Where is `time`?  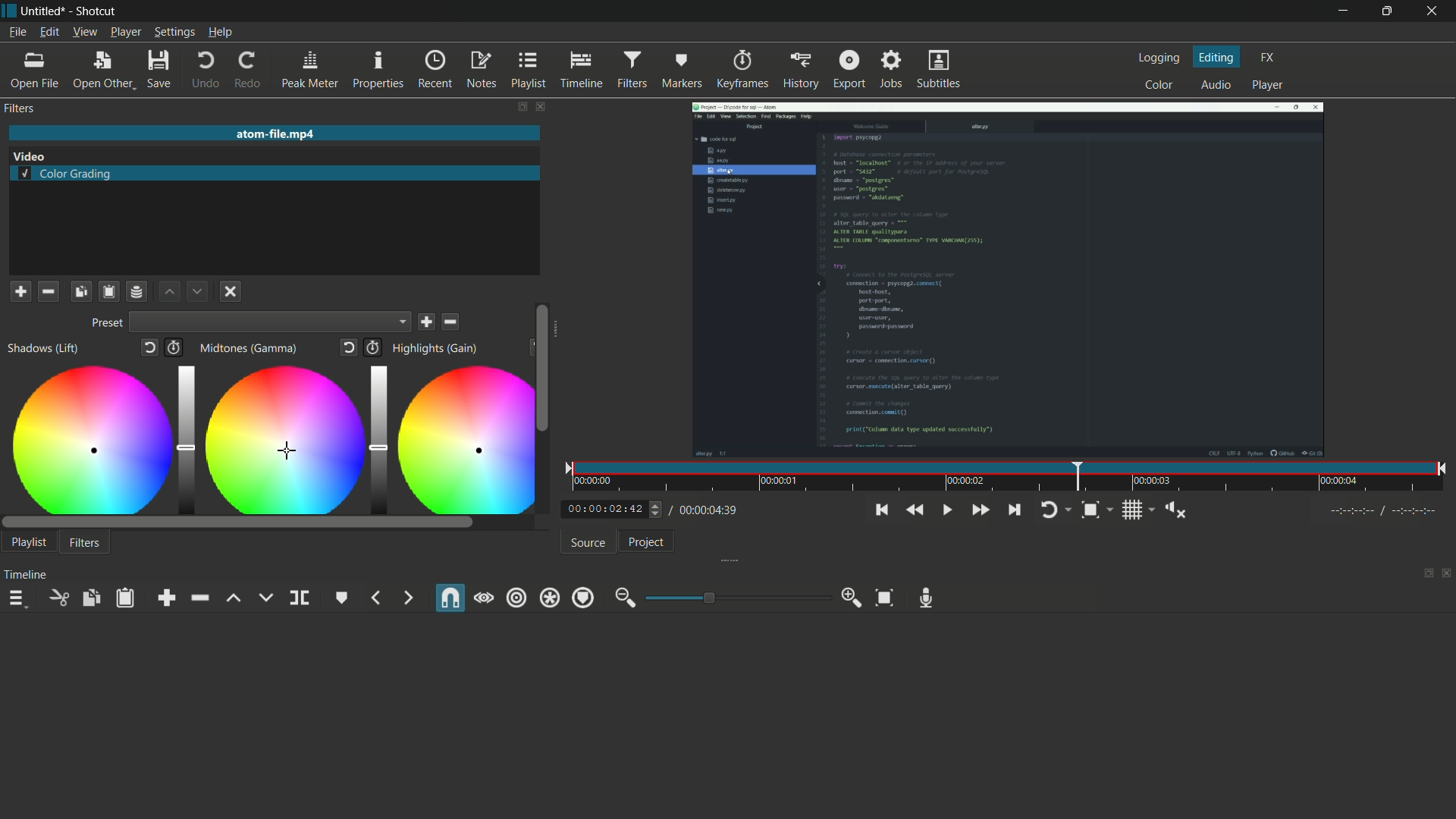 time is located at coordinates (1009, 477).